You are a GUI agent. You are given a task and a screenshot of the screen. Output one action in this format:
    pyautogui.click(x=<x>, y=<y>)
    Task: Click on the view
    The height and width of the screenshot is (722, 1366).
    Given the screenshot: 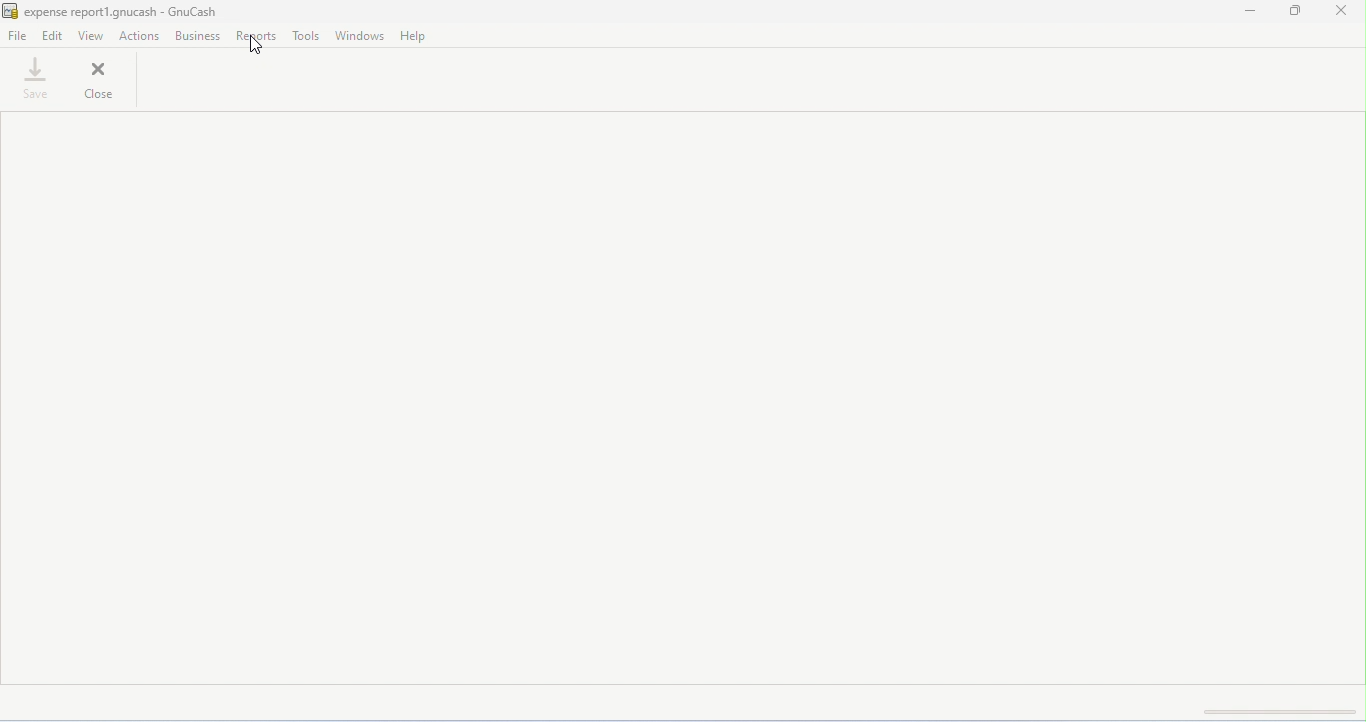 What is the action you would take?
    pyautogui.click(x=92, y=35)
    